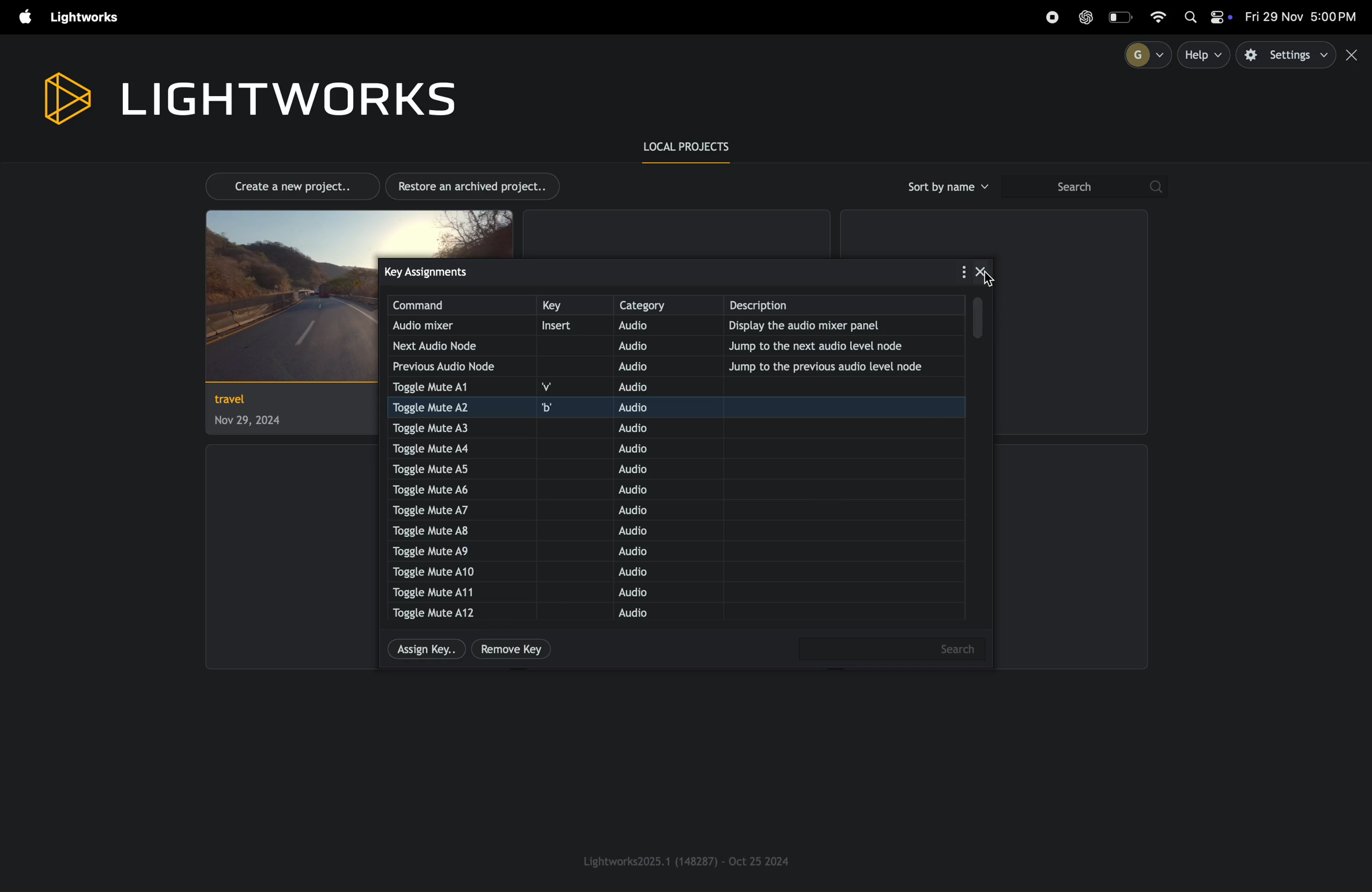 The image size is (1372, 892). I want to click on restore archived projects, so click(477, 186).